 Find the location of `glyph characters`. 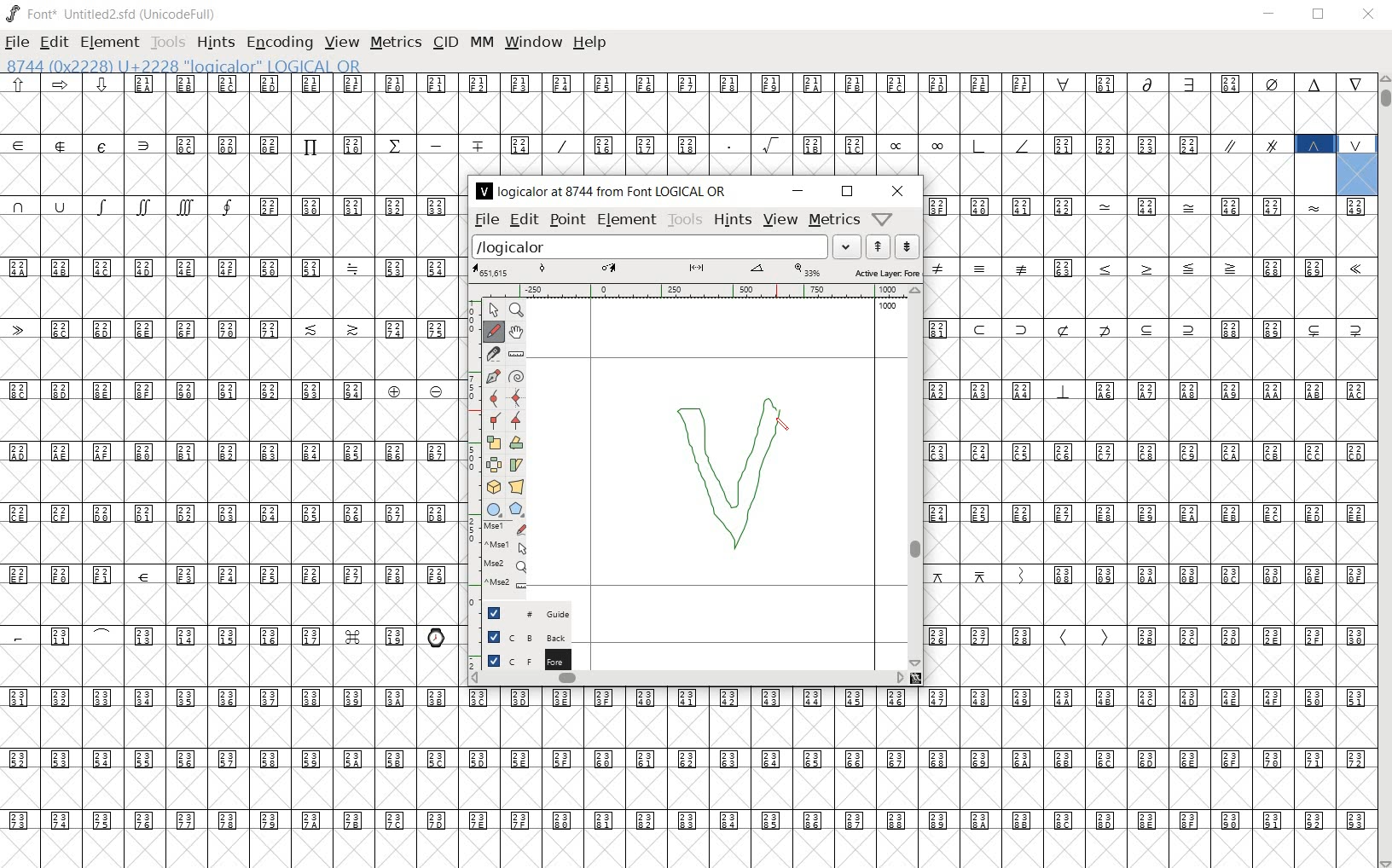

glyph characters is located at coordinates (919, 807).